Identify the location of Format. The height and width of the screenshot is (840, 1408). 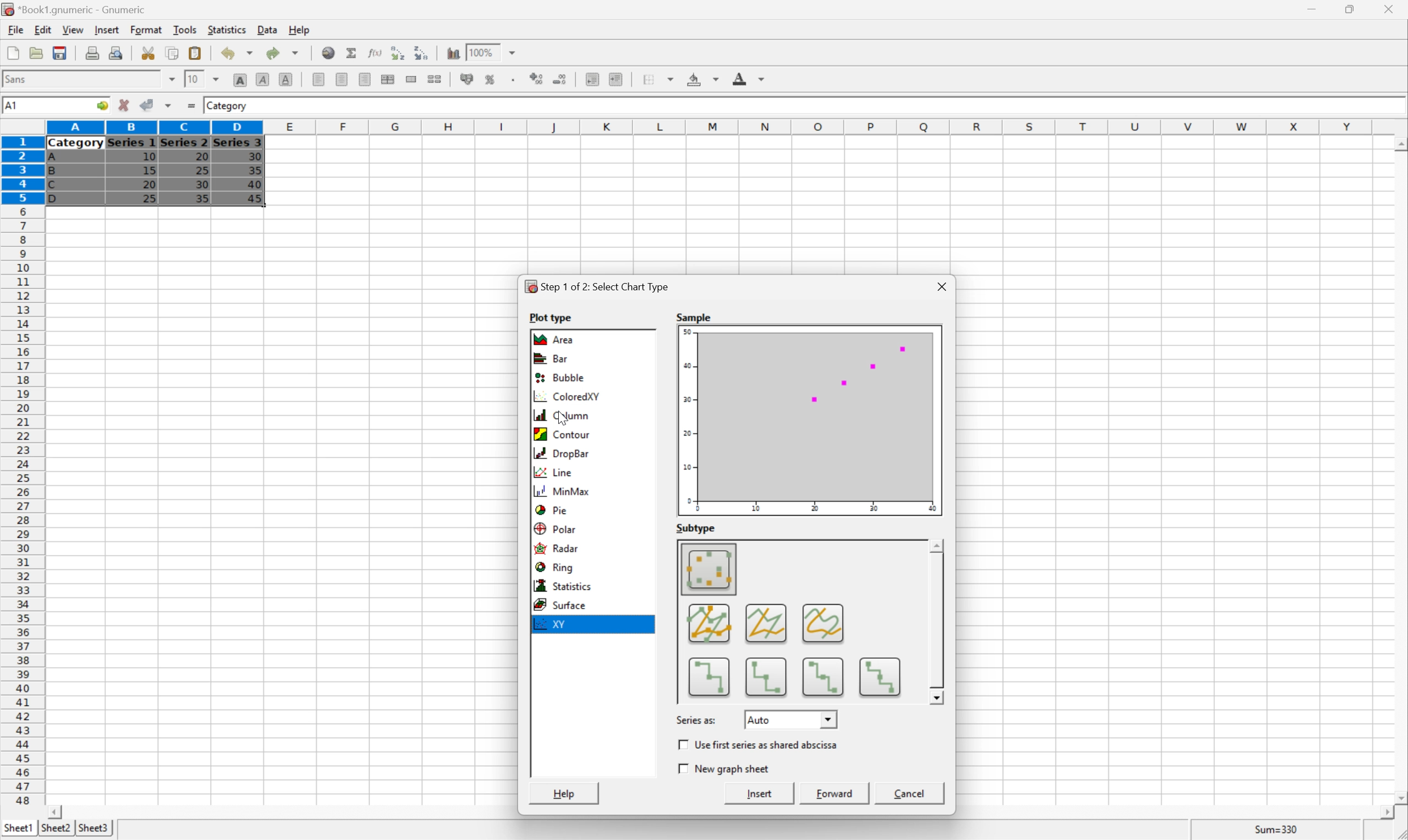
(146, 29).